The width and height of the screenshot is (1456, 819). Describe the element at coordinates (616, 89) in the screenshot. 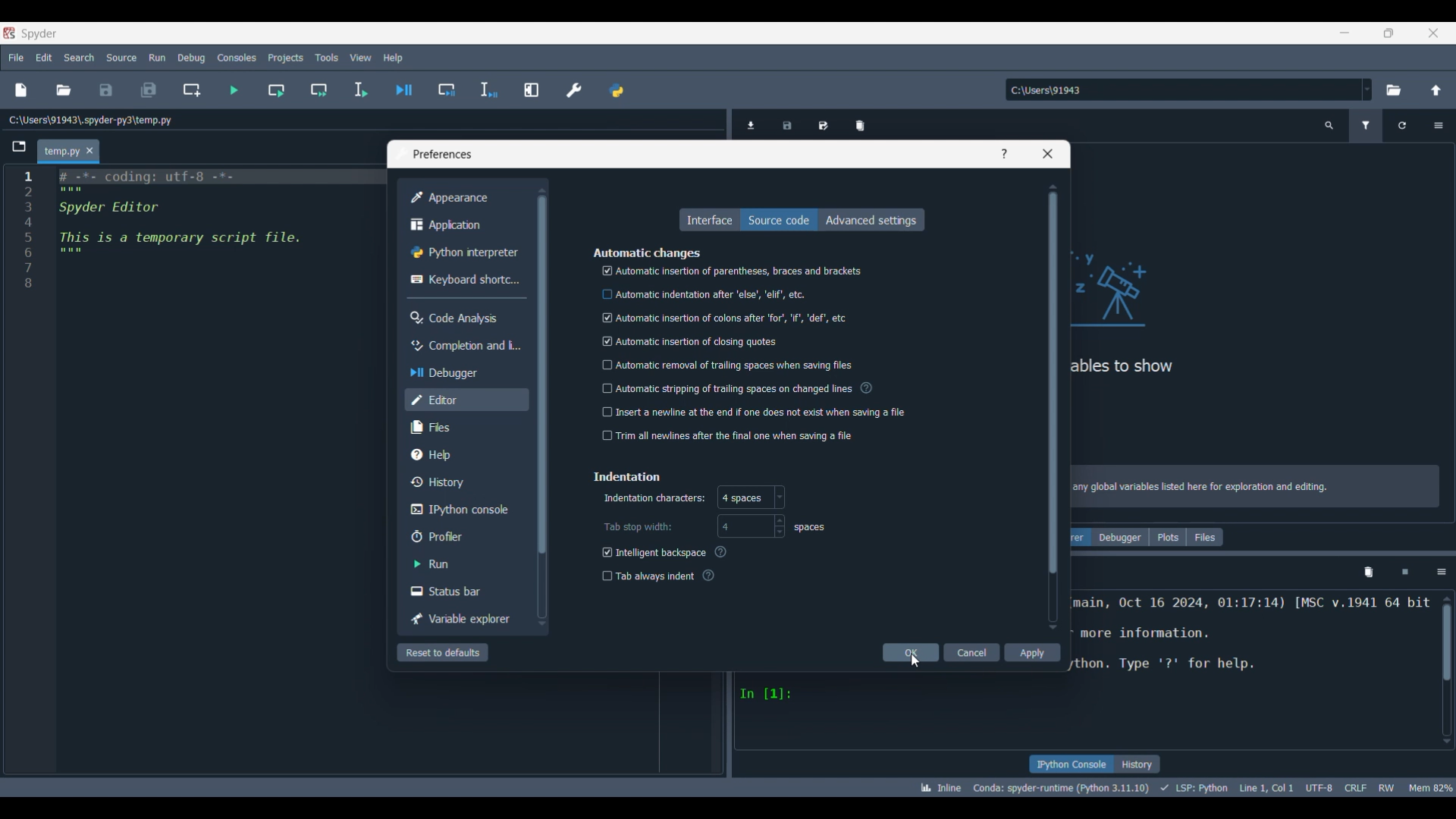

I see `Pythonpath manager` at that location.